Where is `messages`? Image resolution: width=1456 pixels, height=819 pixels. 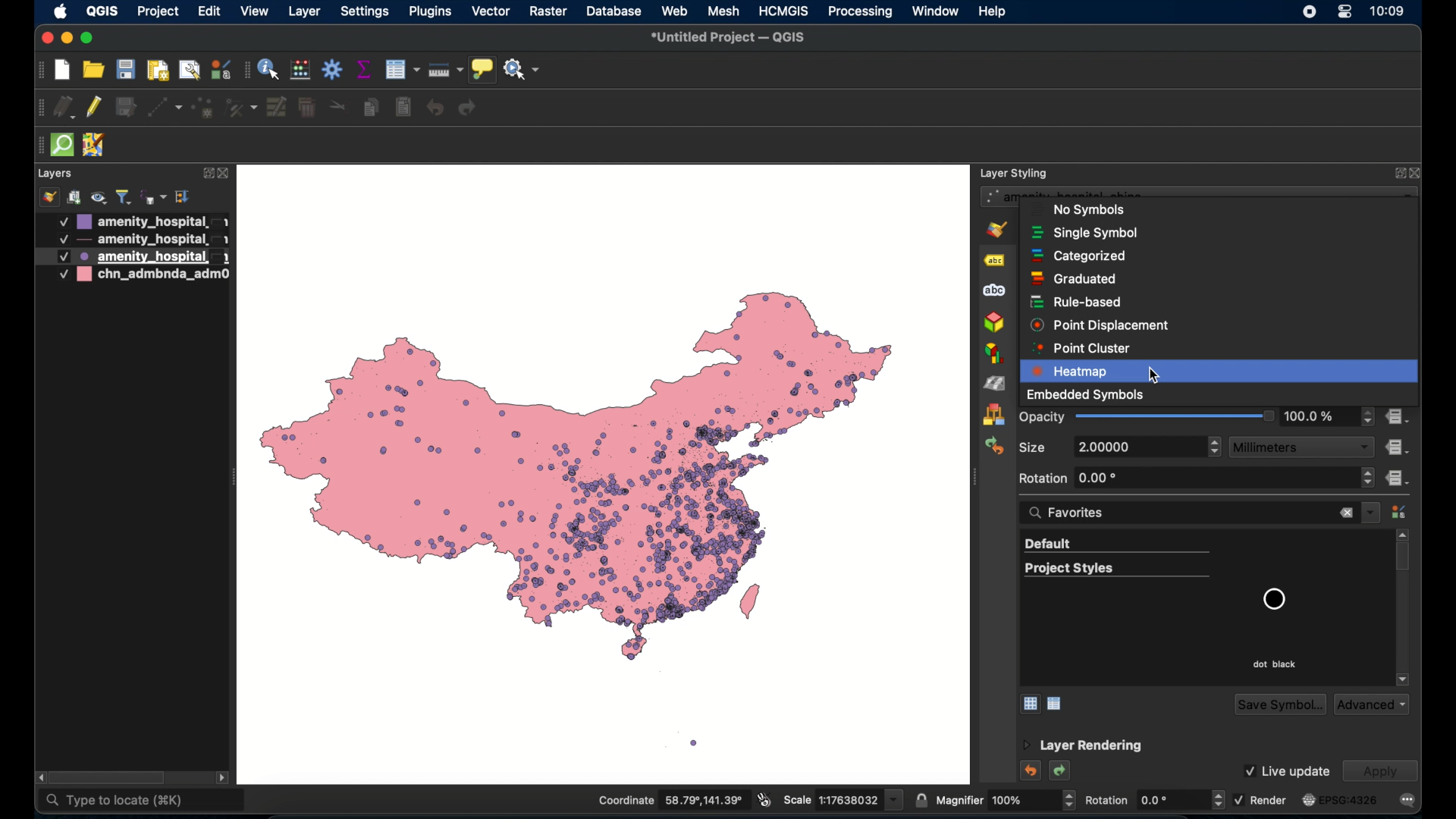 messages is located at coordinates (1408, 800).